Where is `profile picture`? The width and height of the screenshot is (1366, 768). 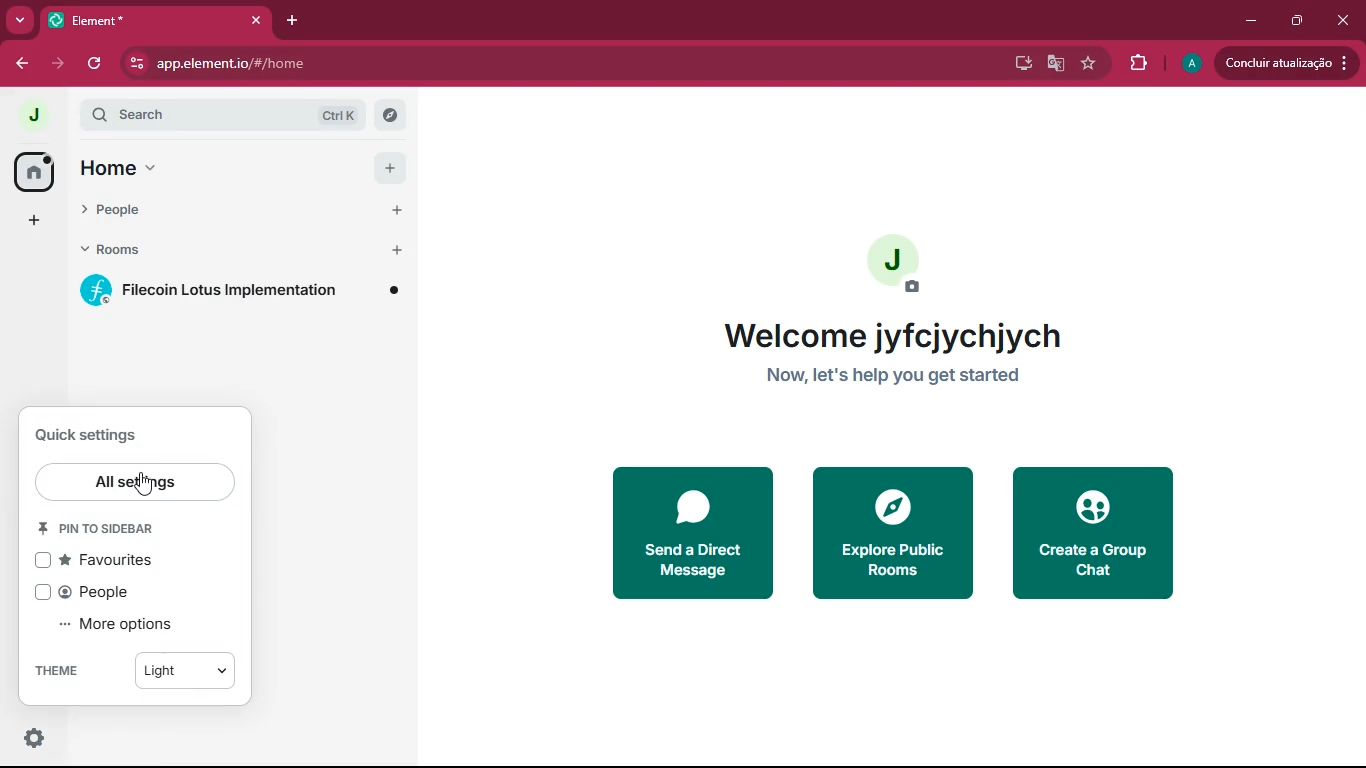 profile picture is located at coordinates (1195, 61).